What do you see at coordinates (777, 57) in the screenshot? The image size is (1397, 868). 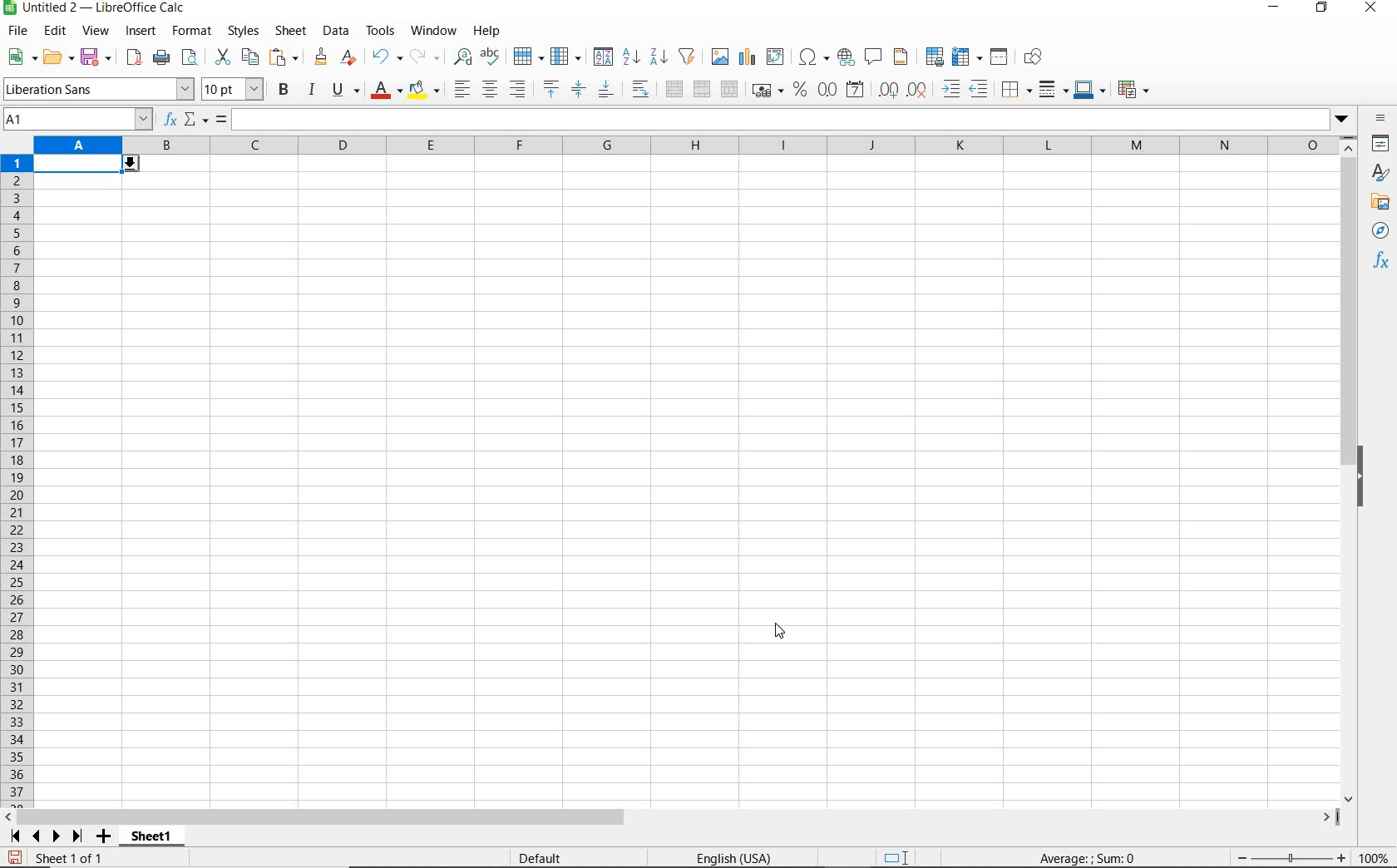 I see `insert or edit pivot table` at bounding box center [777, 57].